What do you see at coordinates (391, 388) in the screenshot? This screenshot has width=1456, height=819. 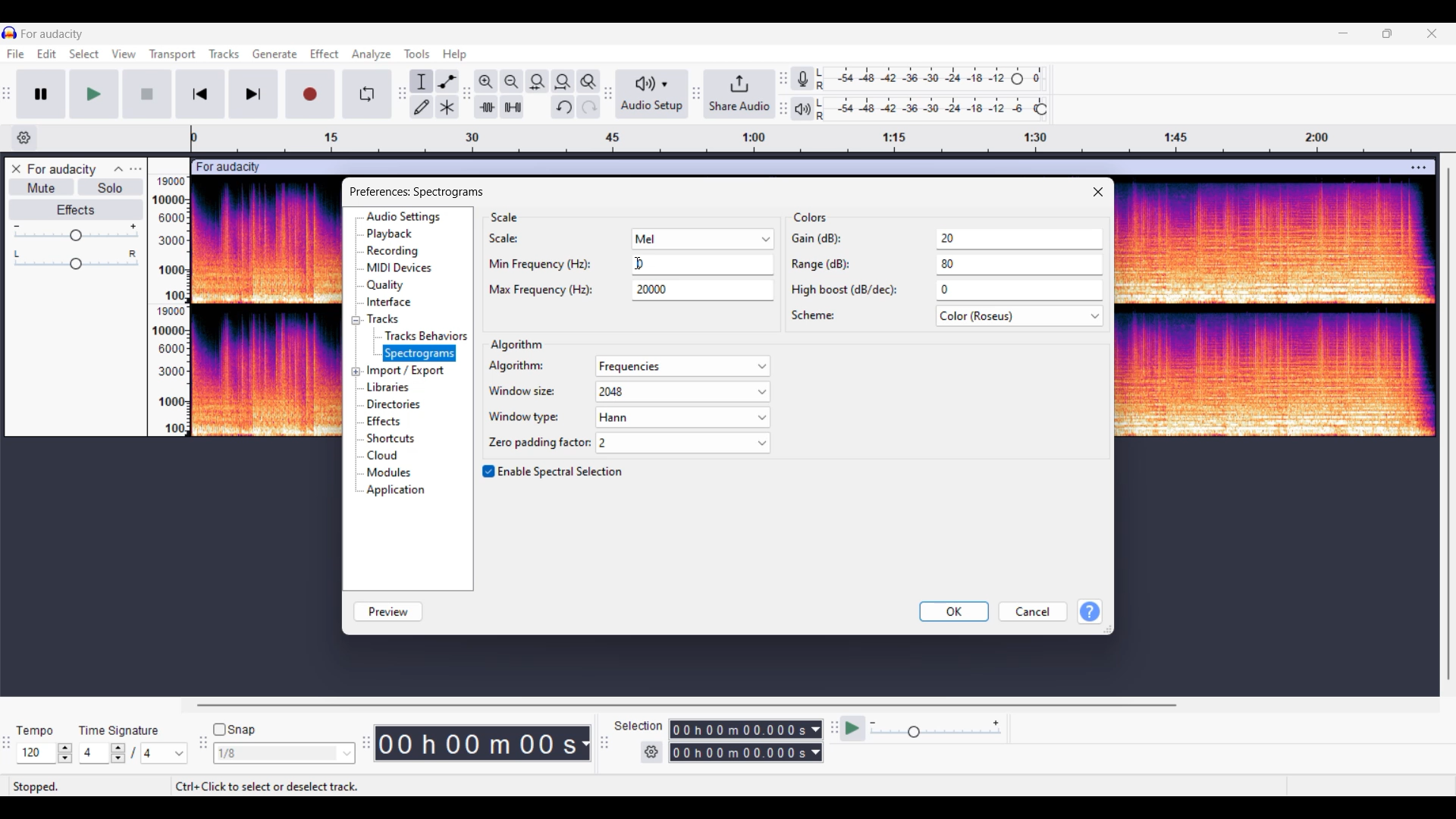 I see `libraries` at bounding box center [391, 388].